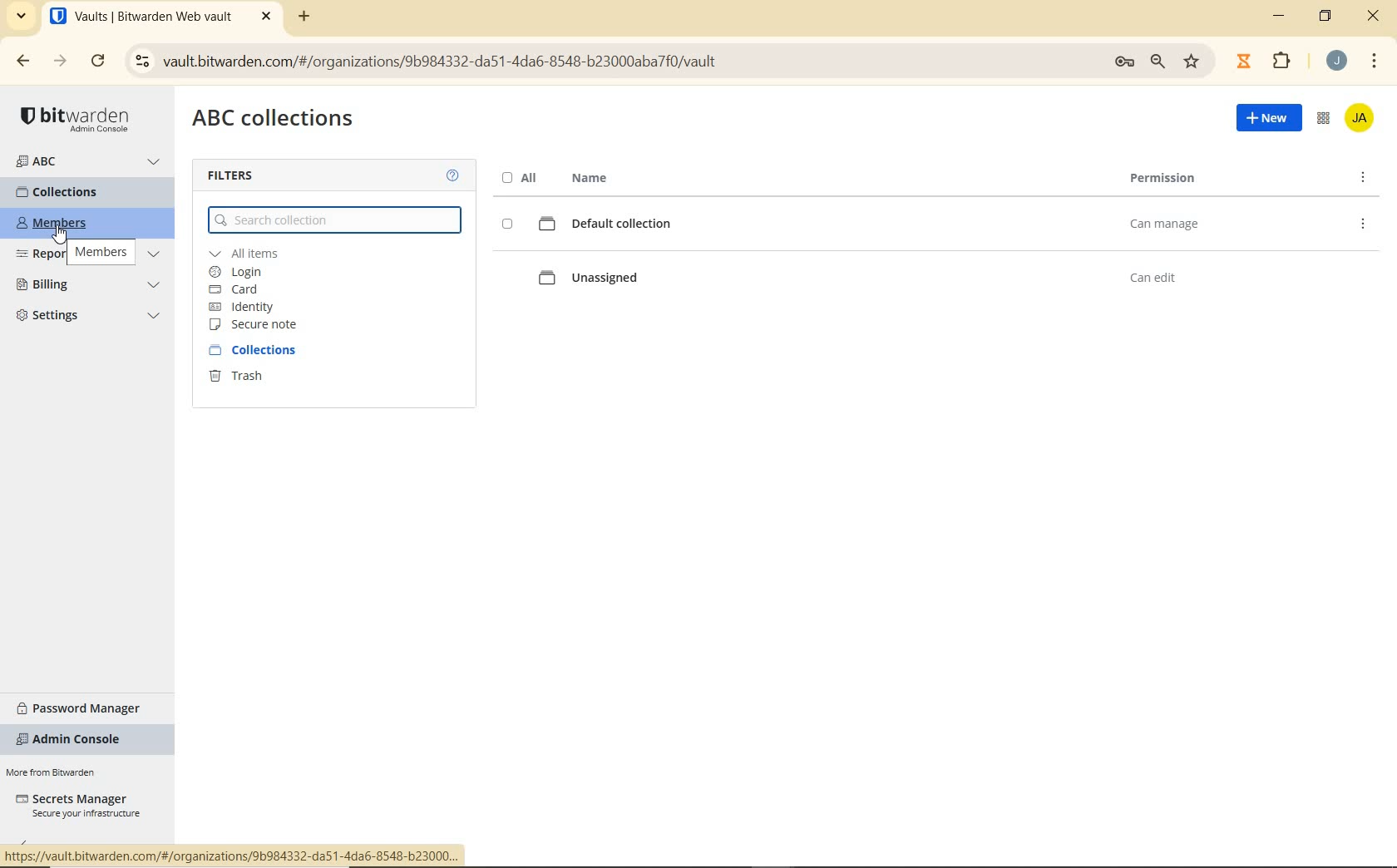 The image size is (1397, 868). I want to click on ADDRESS, so click(234, 854).